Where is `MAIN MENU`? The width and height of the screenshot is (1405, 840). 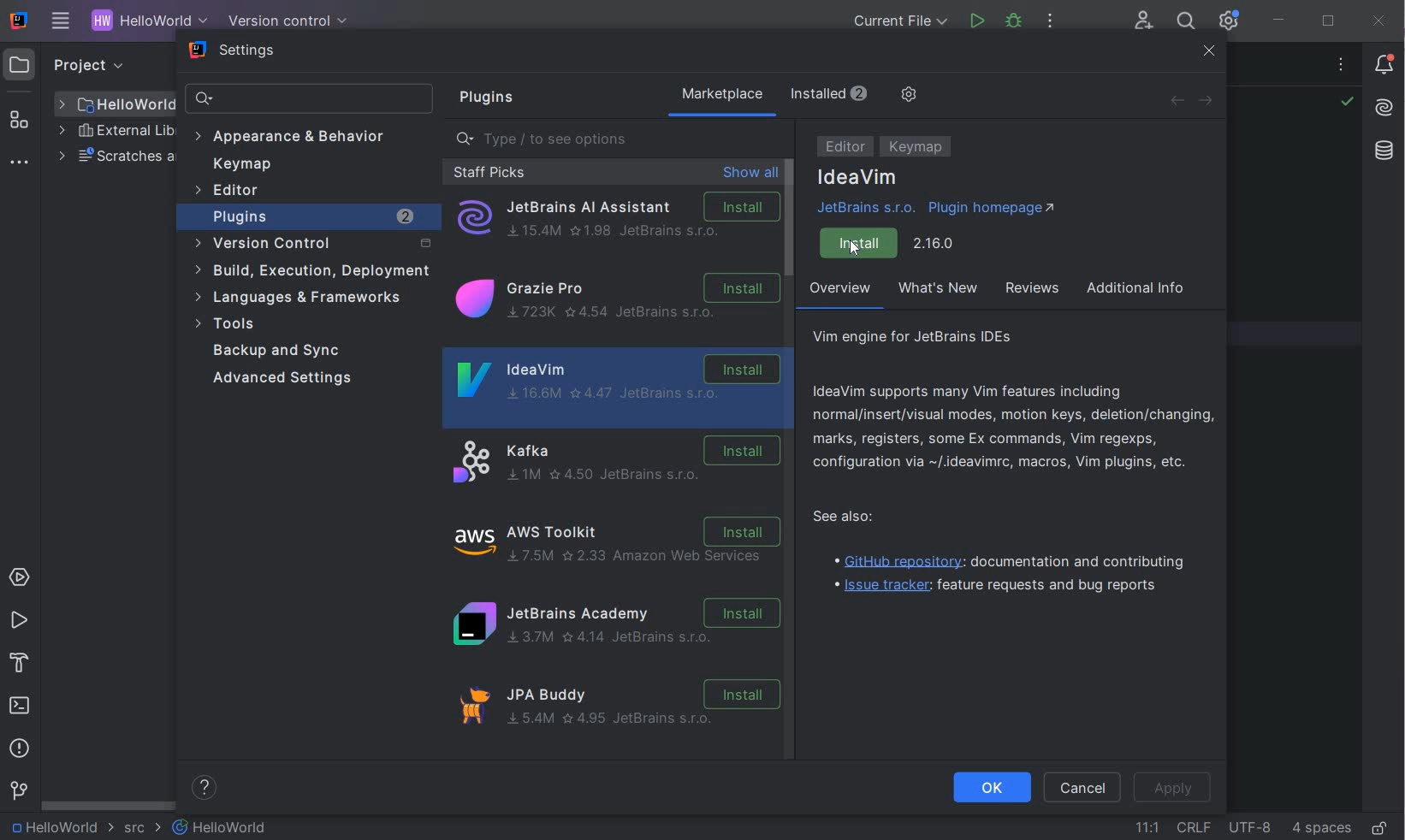
MAIN MENU is located at coordinates (56, 22).